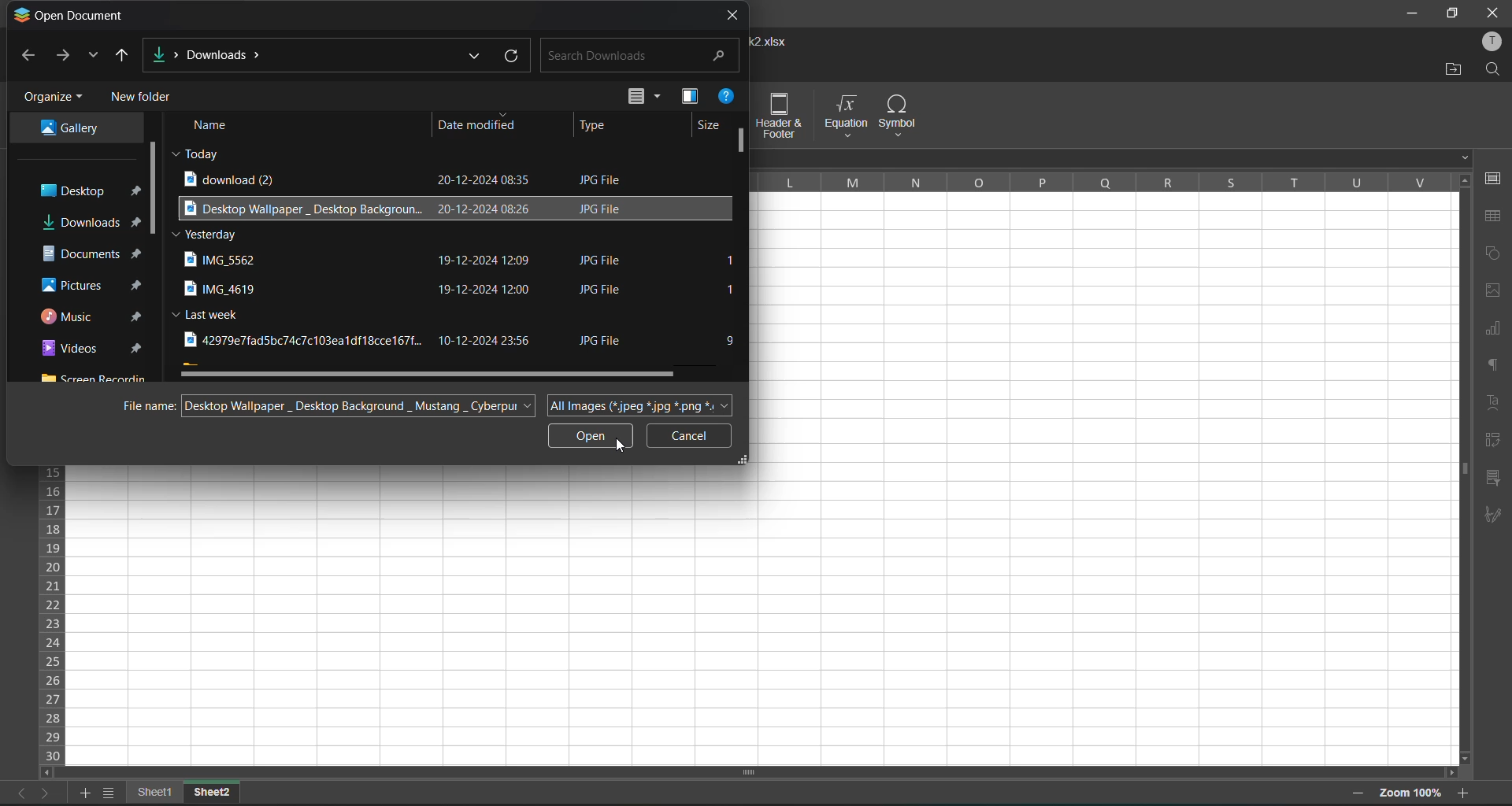  I want to click on column names, so click(1102, 181).